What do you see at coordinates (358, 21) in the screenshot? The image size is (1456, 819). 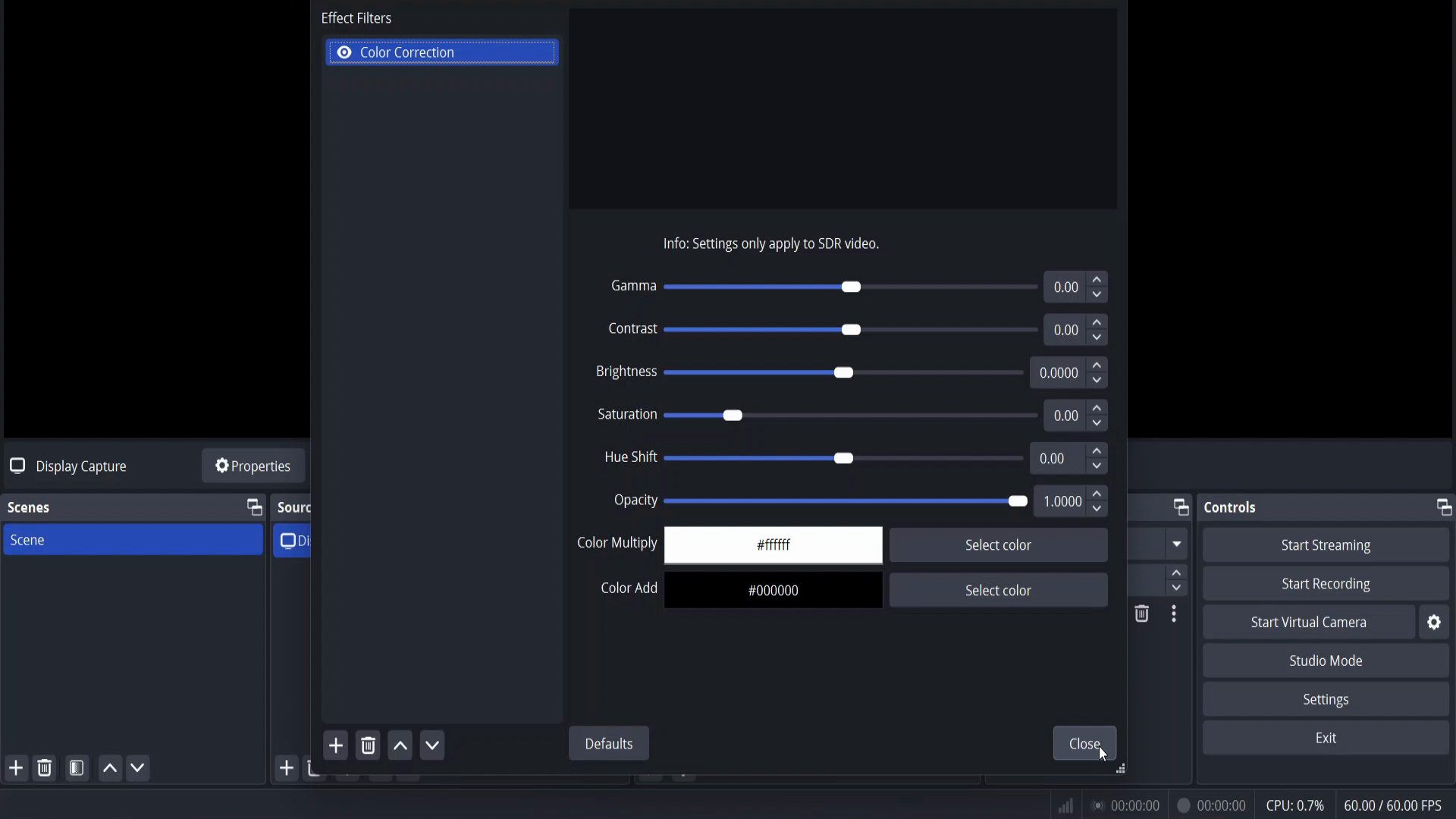 I see `effect filters` at bounding box center [358, 21].